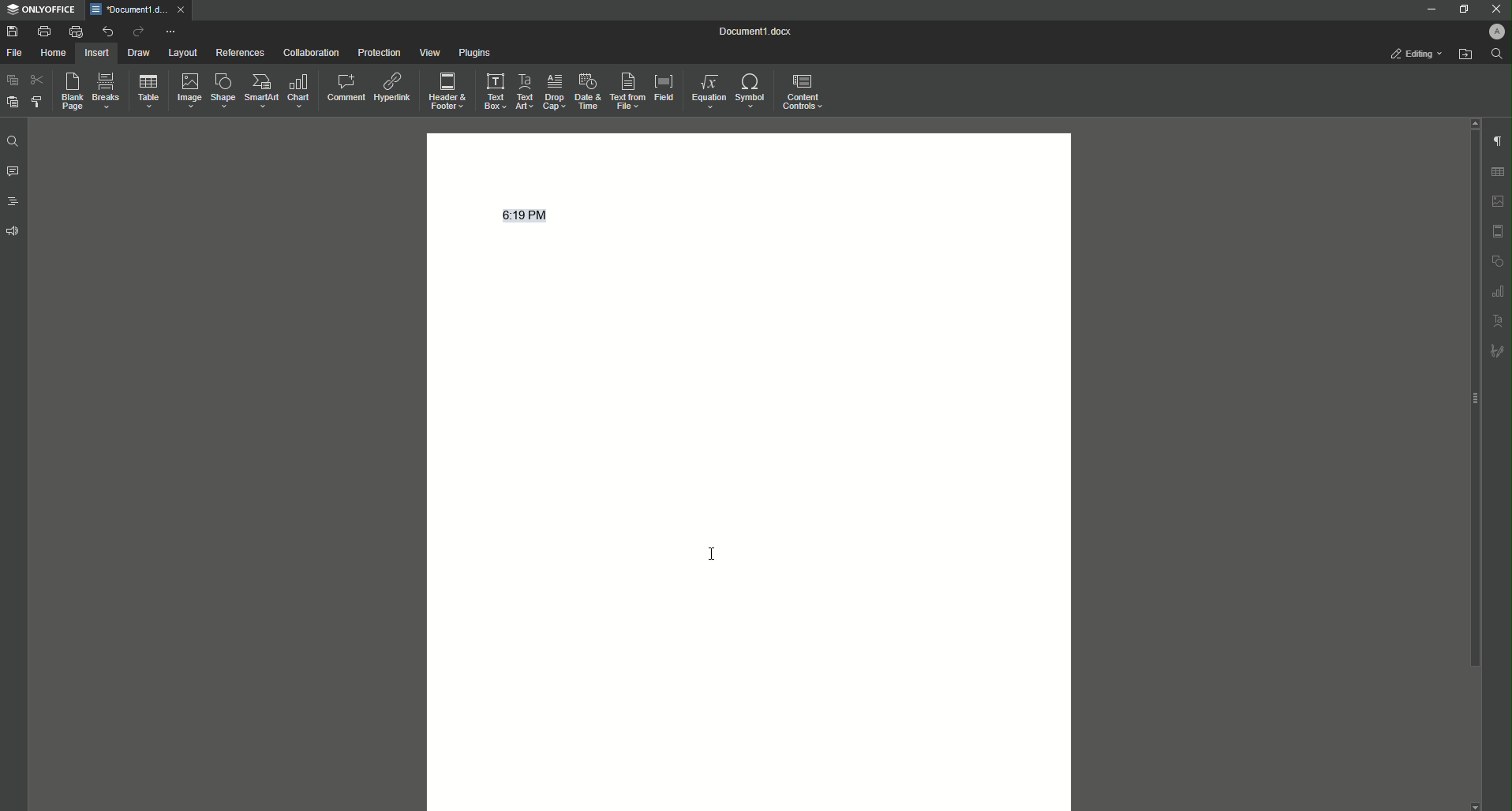  Describe the element at coordinates (43, 31) in the screenshot. I see `Print` at that location.